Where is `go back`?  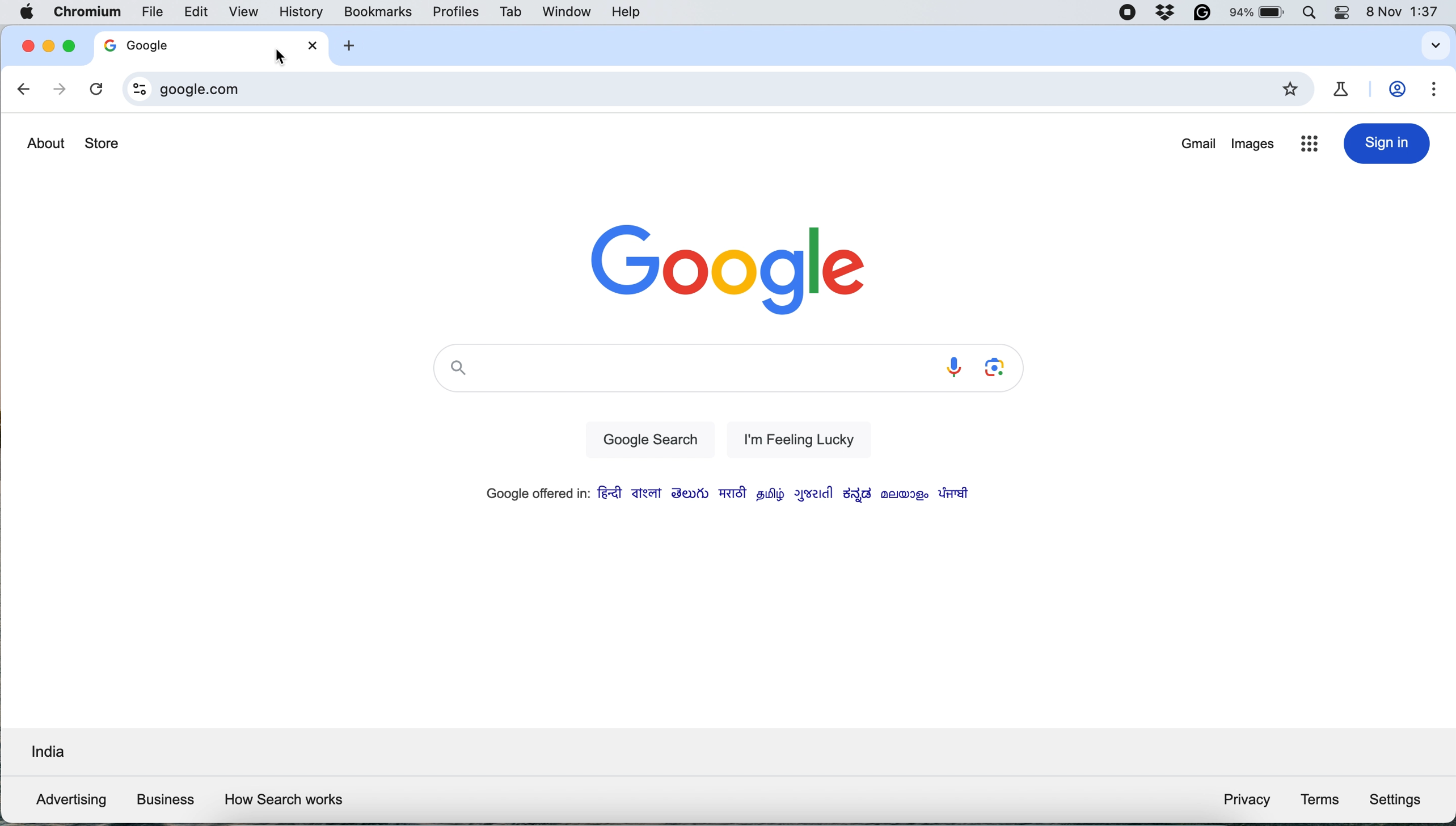 go back is located at coordinates (25, 91).